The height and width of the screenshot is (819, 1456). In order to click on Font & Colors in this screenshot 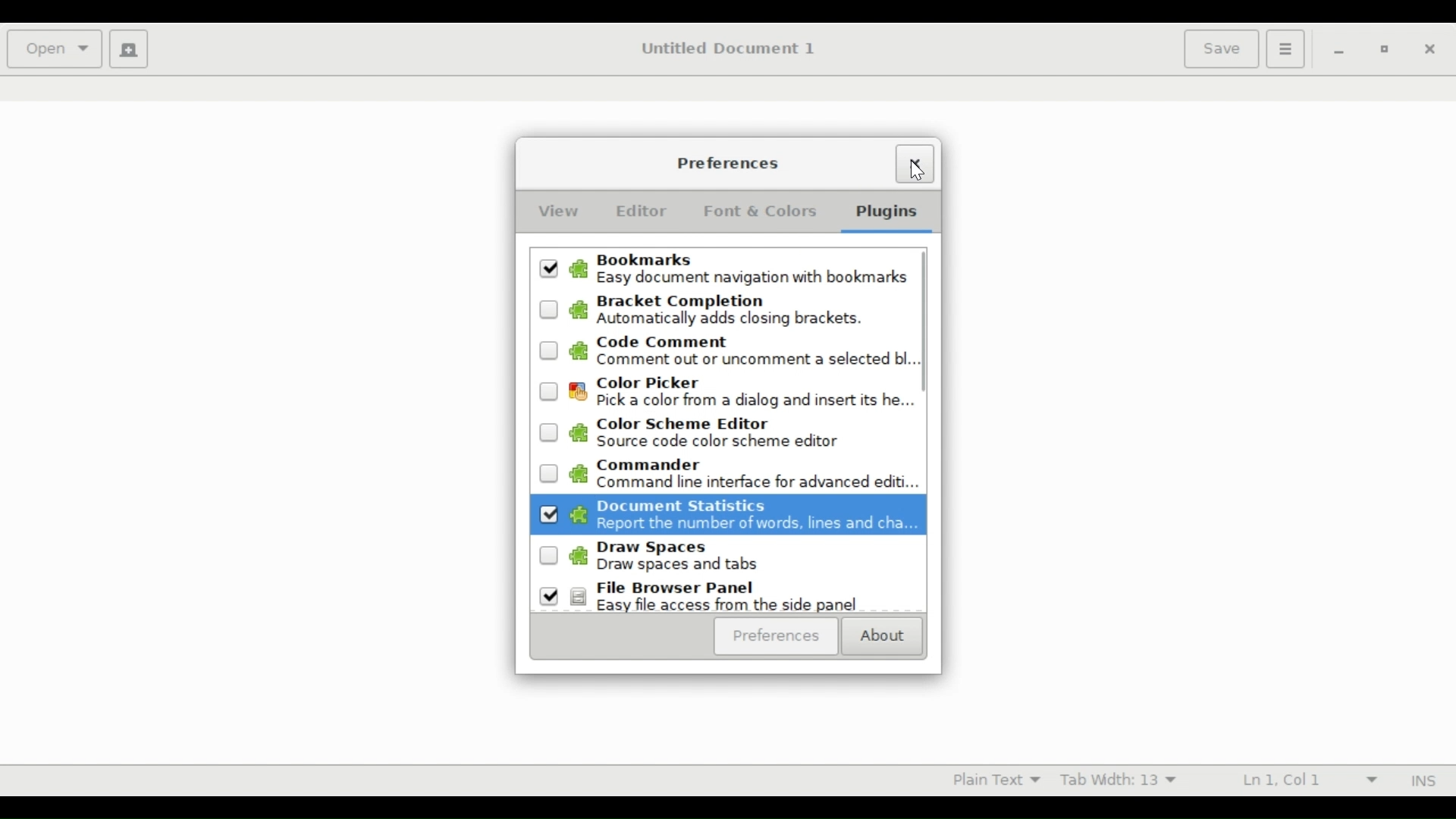, I will do `click(762, 212)`.